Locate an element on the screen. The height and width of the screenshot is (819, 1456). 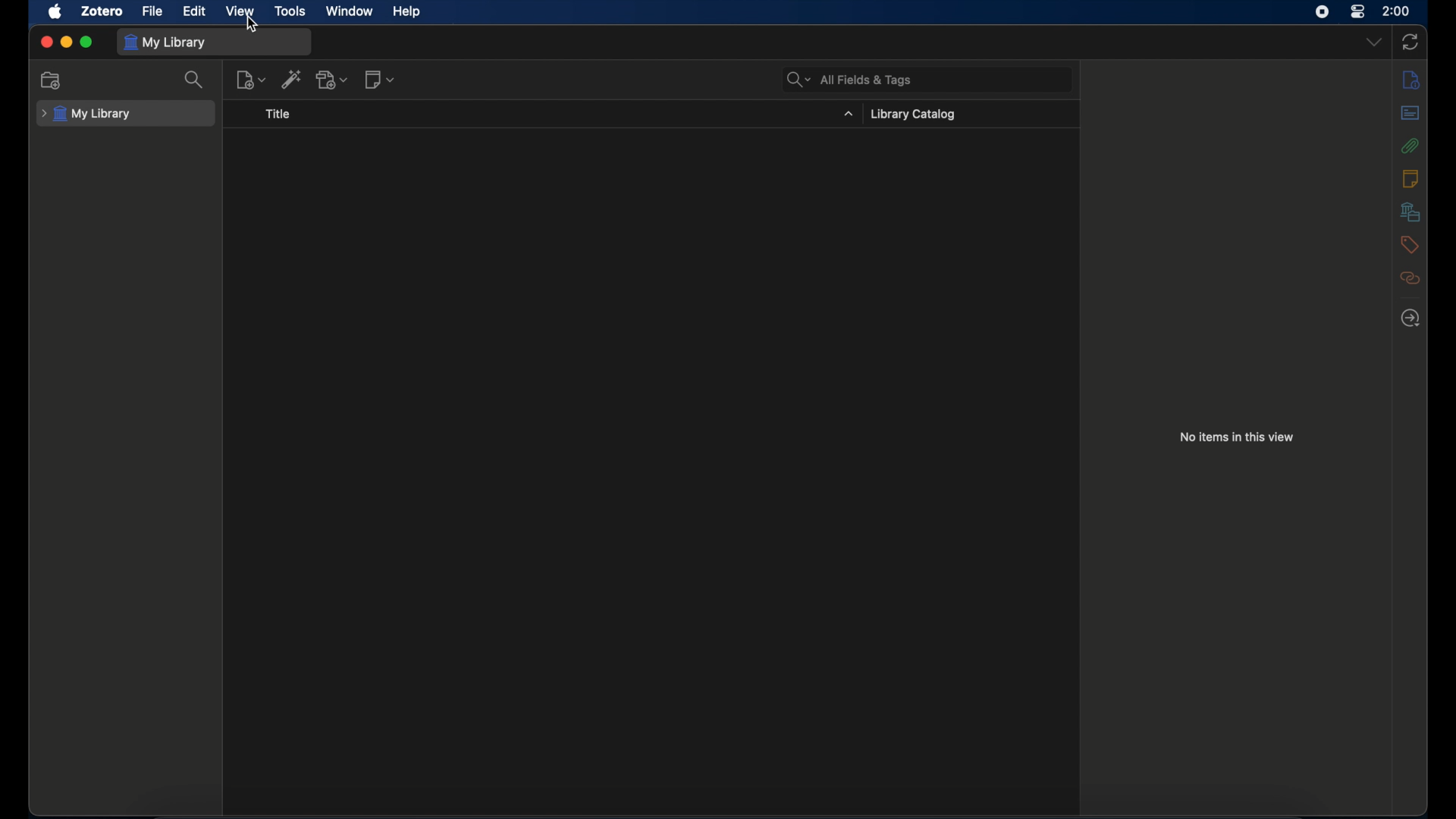
cursor is located at coordinates (253, 24).